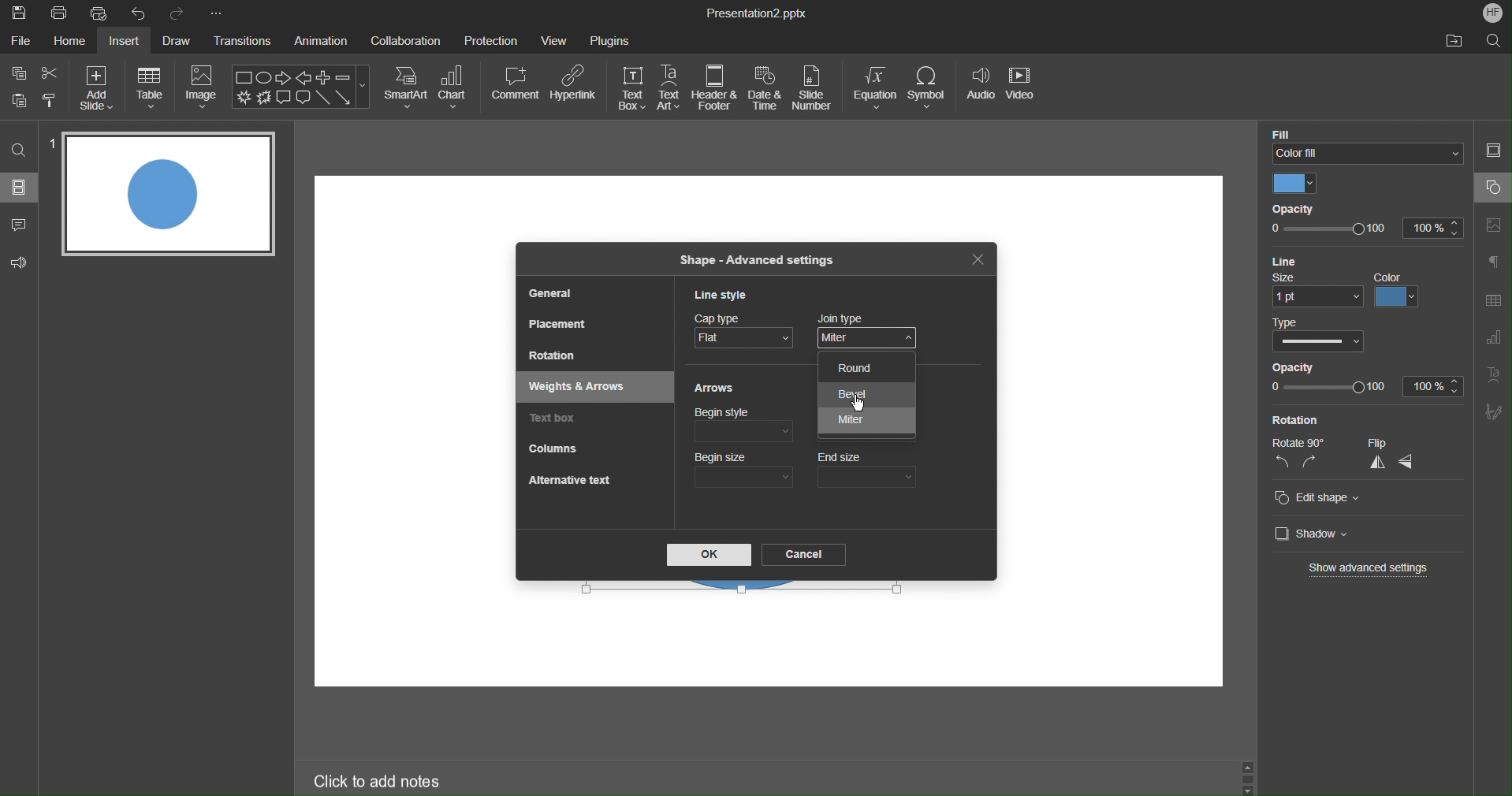 This screenshot has height=796, width=1512. Describe the element at coordinates (406, 39) in the screenshot. I see `Collaboration` at that location.